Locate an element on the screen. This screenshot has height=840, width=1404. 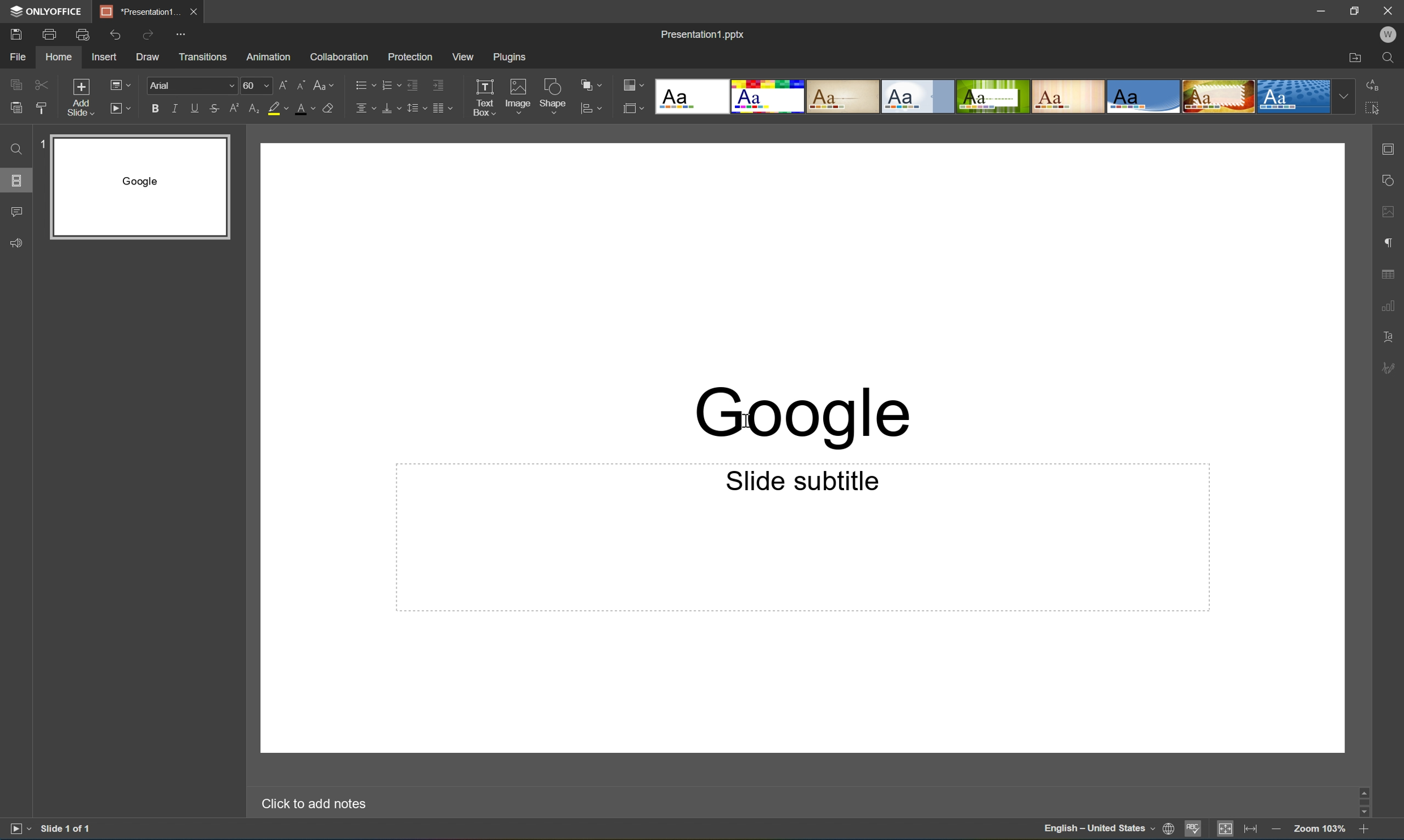
Find is located at coordinates (1390, 57).